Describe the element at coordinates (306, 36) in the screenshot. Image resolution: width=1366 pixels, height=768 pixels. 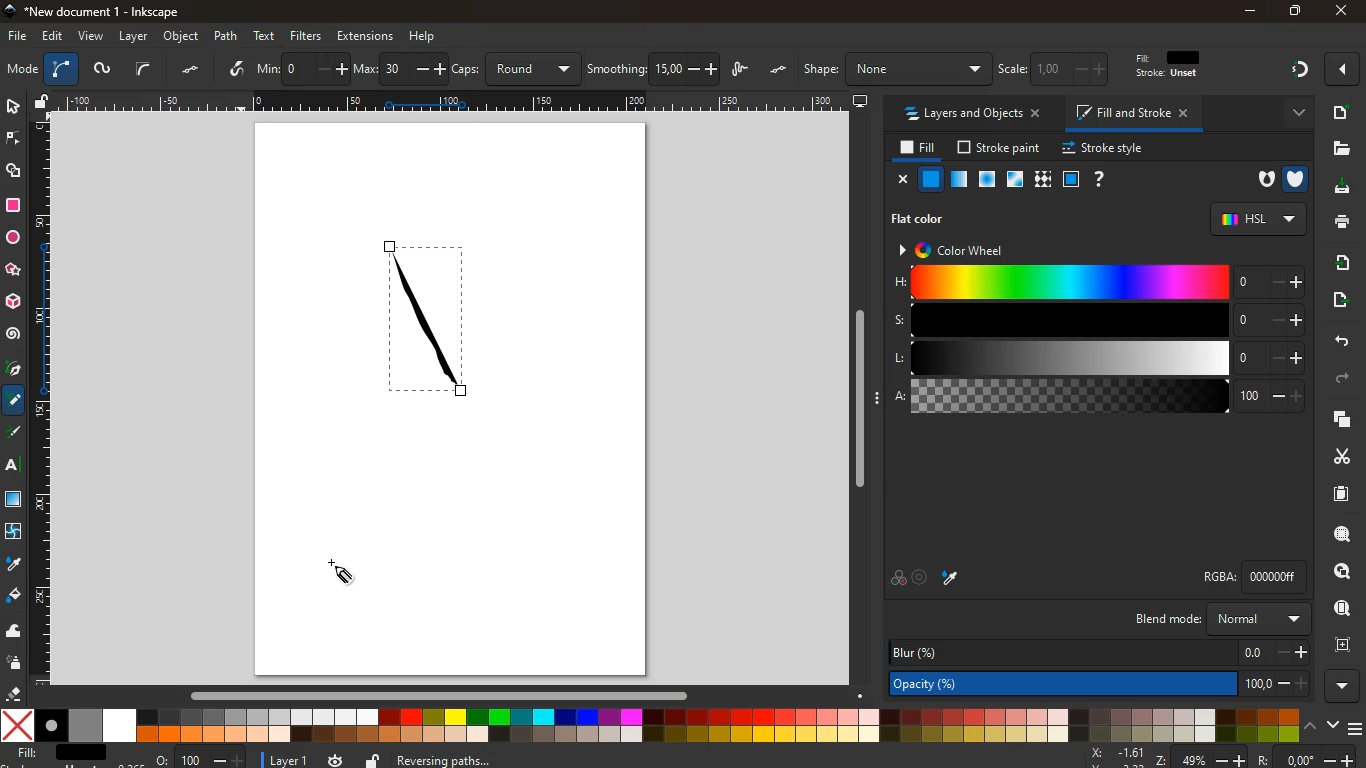
I see `filters` at that location.